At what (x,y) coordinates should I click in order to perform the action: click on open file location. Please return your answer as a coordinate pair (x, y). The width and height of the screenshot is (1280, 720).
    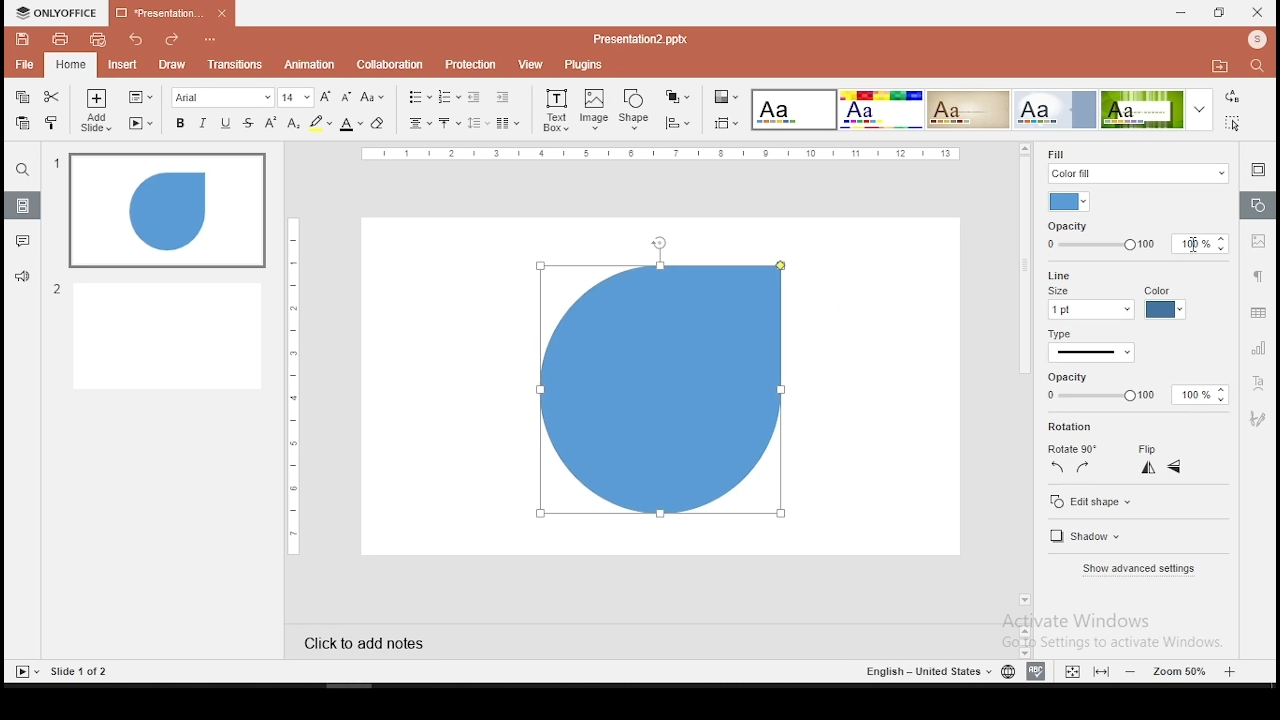
    Looking at the image, I should click on (1216, 66).